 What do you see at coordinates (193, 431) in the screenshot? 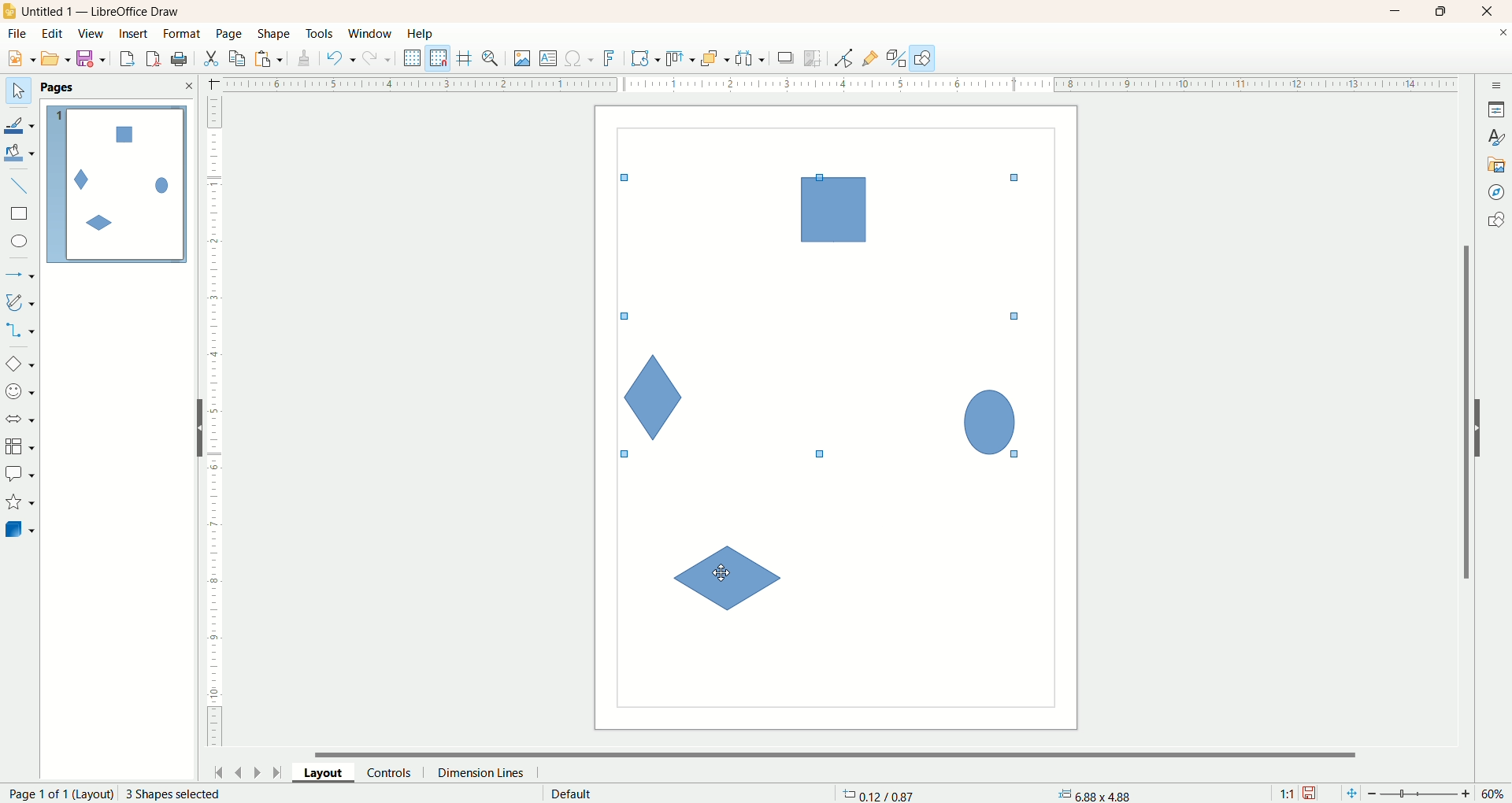
I see `hide` at bounding box center [193, 431].